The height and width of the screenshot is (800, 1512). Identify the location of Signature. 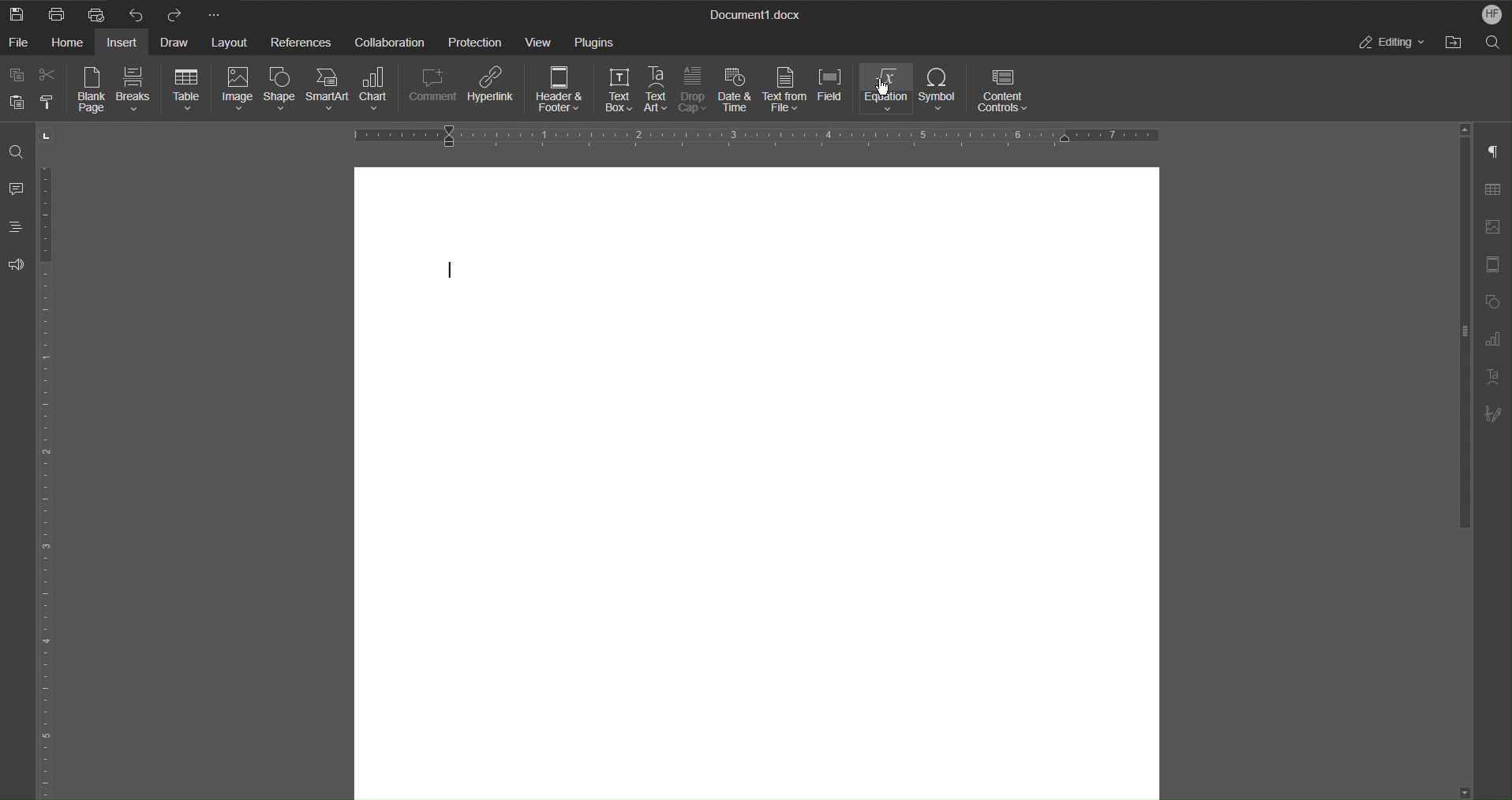
(1490, 413).